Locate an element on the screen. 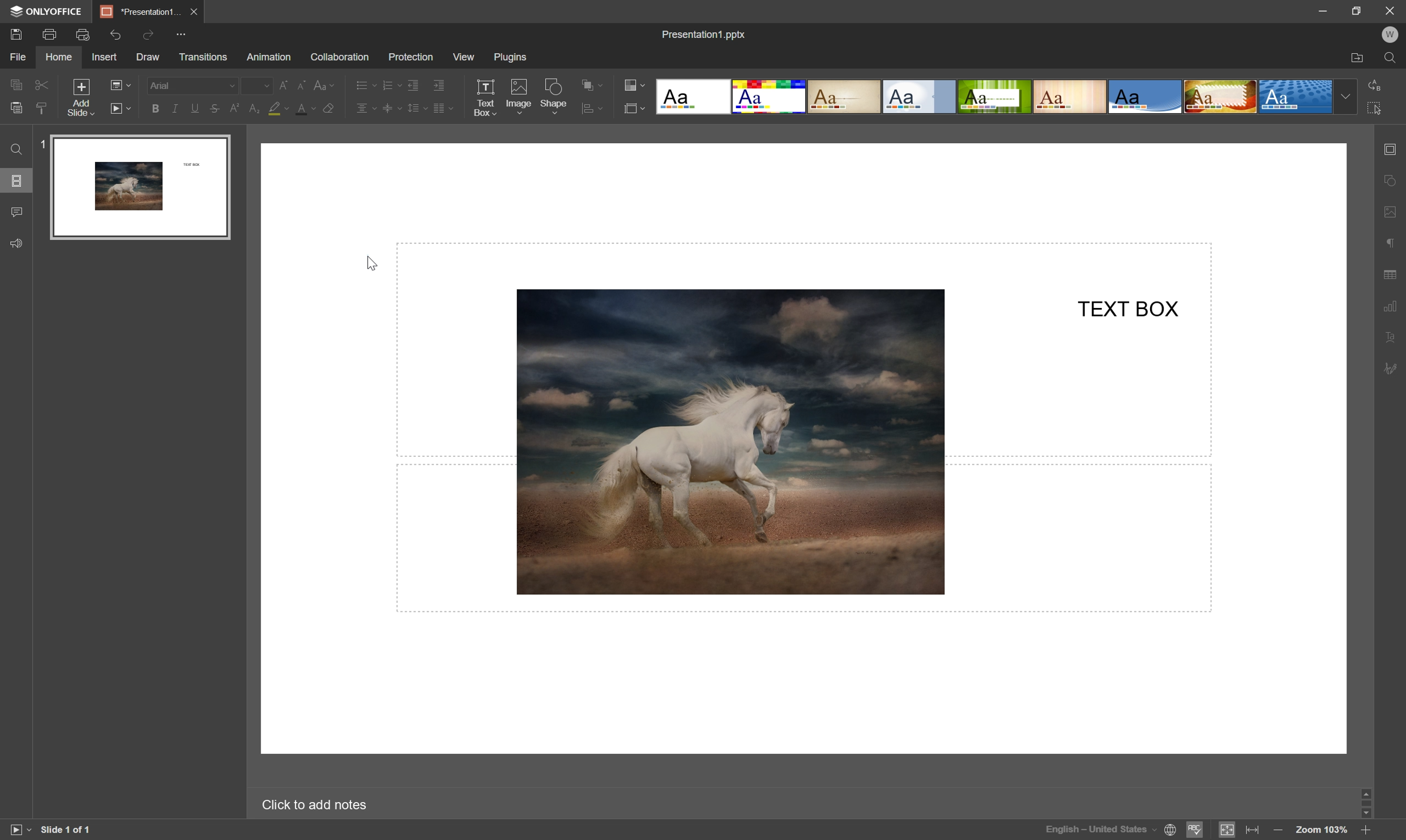 This screenshot has height=840, width=1406. Office is located at coordinates (1146, 97).